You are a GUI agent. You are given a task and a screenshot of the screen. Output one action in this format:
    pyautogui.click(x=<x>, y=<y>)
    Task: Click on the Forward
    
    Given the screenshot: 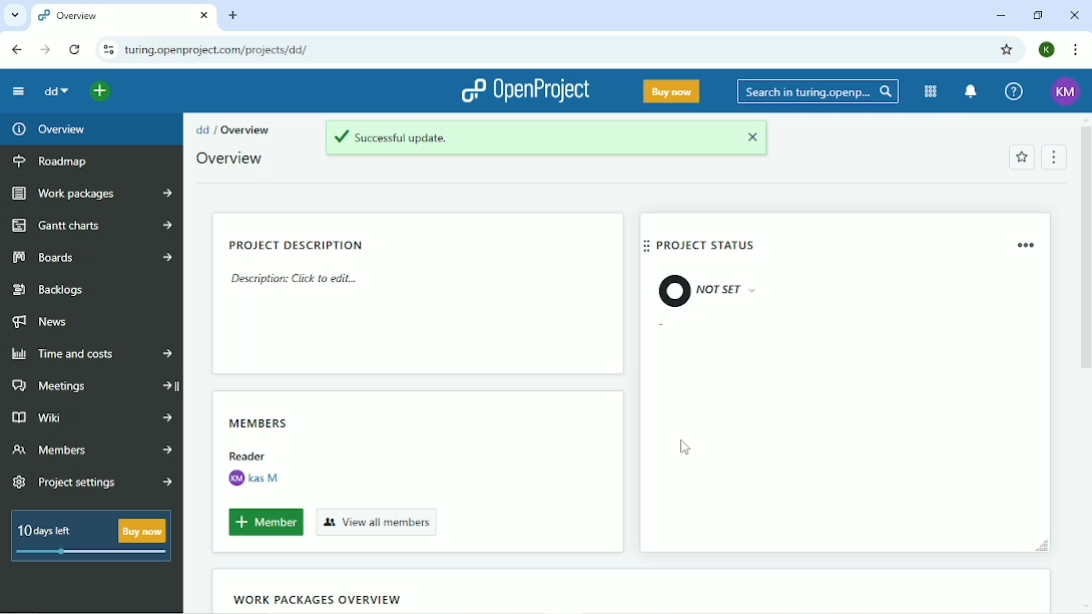 What is the action you would take?
    pyautogui.click(x=44, y=50)
    